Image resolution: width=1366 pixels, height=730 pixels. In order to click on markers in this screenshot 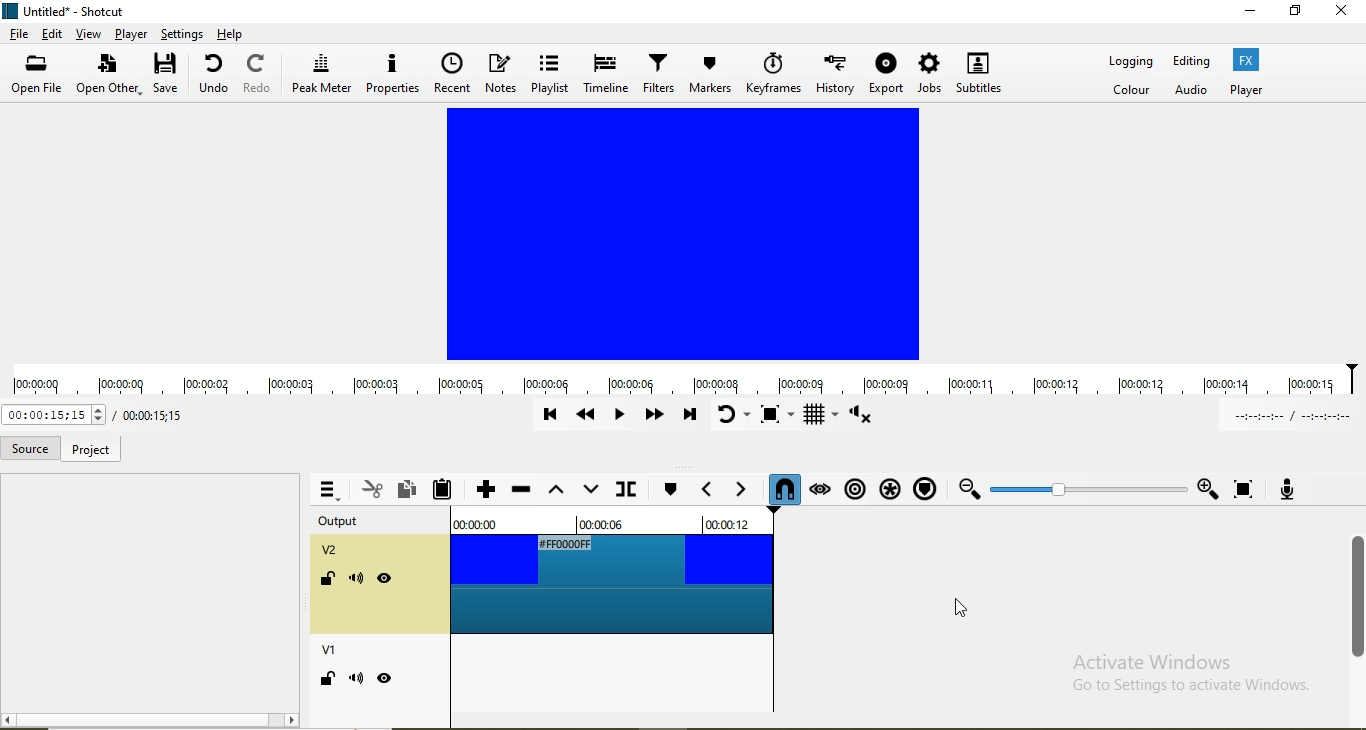, I will do `click(710, 74)`.